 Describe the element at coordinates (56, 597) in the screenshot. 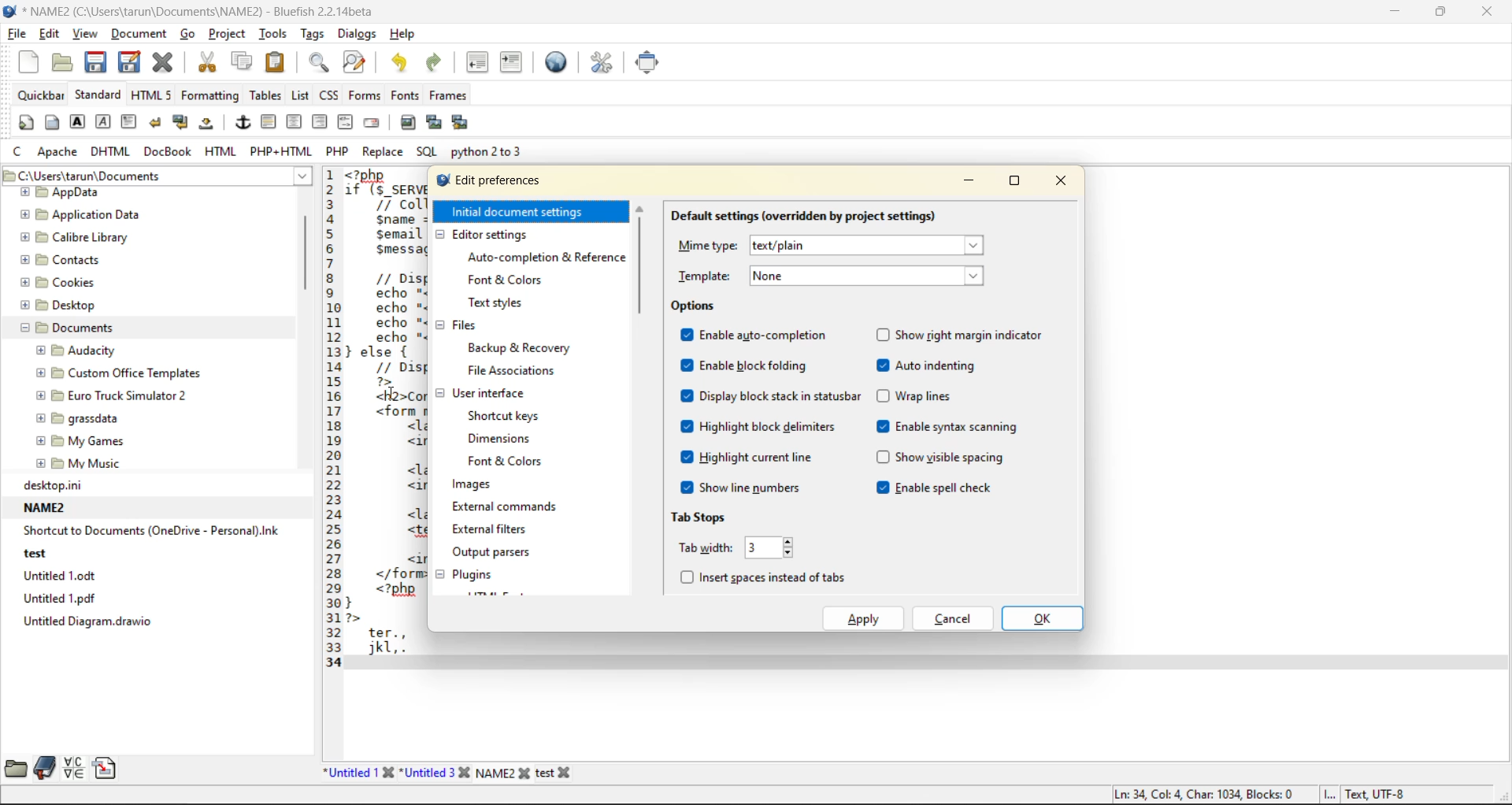

I see `Untitled 1.pdf` at that location.